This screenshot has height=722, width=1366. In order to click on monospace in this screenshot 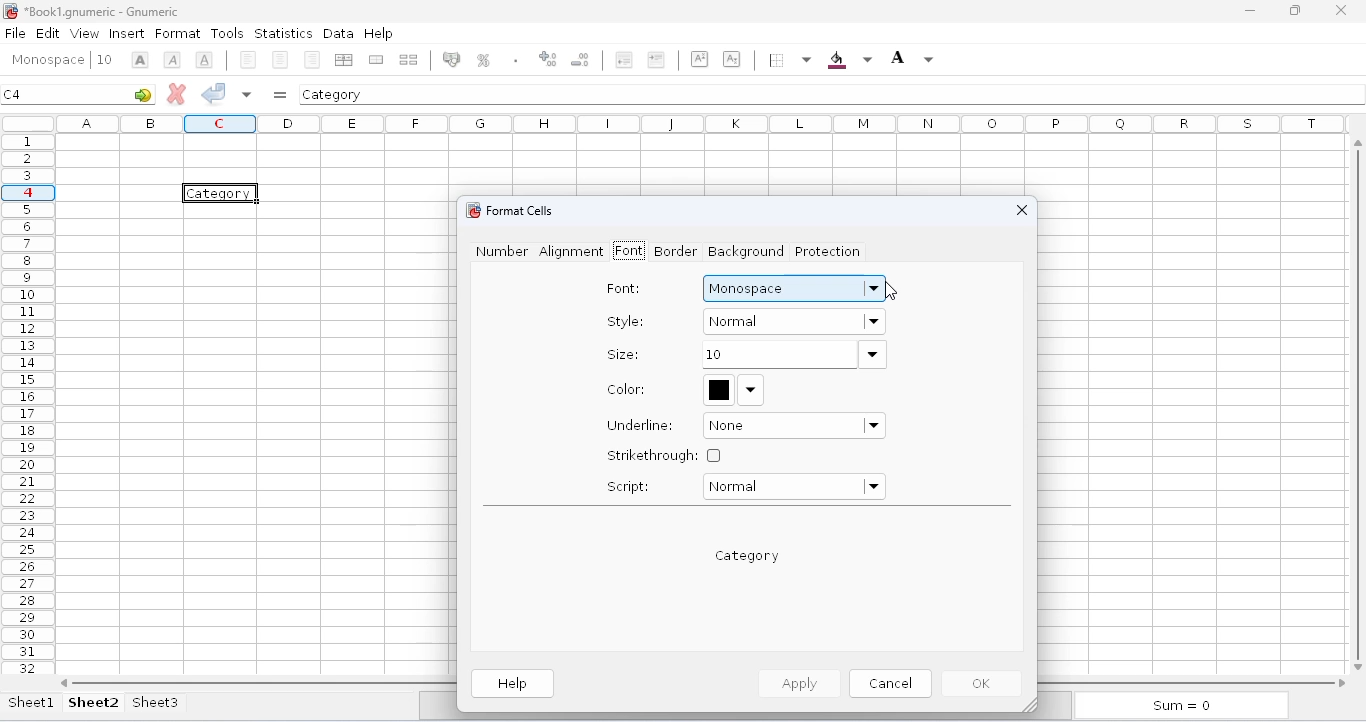, I will do `click(794, 288)`.